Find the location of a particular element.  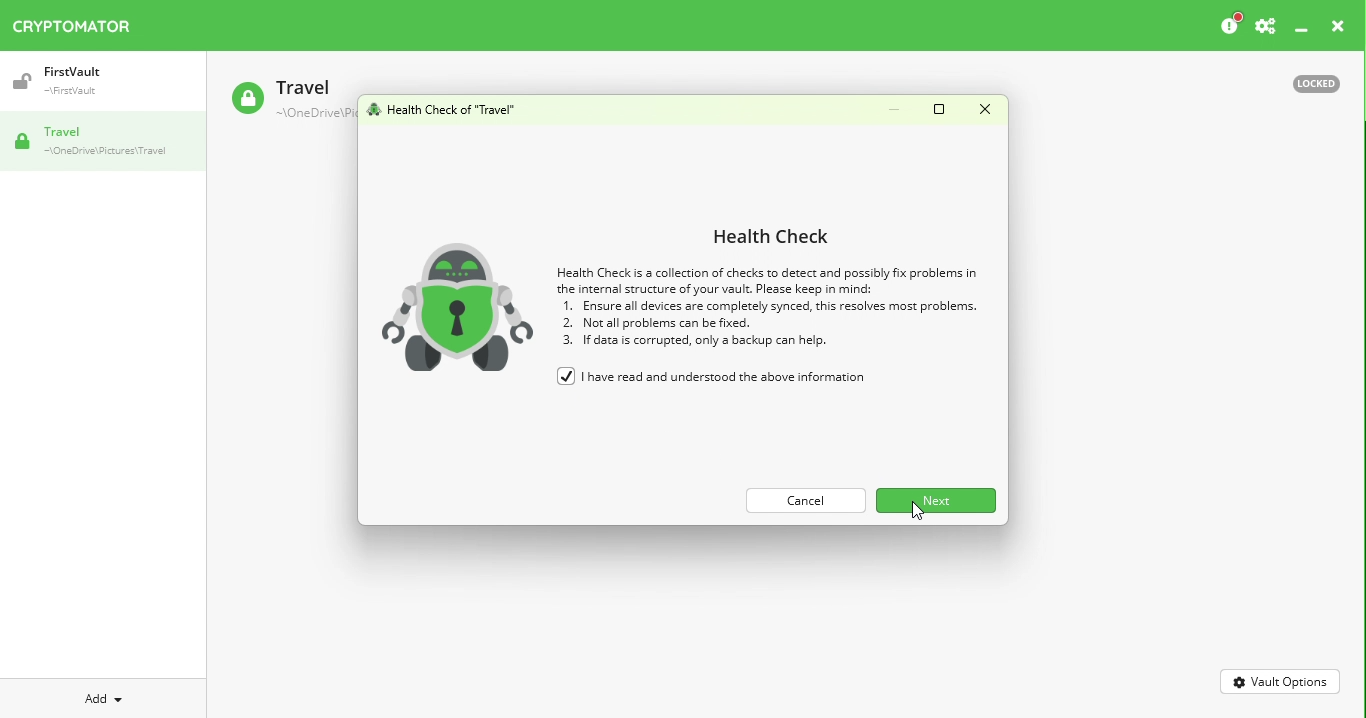

checked checkbox is located at coordinates (566, 376).